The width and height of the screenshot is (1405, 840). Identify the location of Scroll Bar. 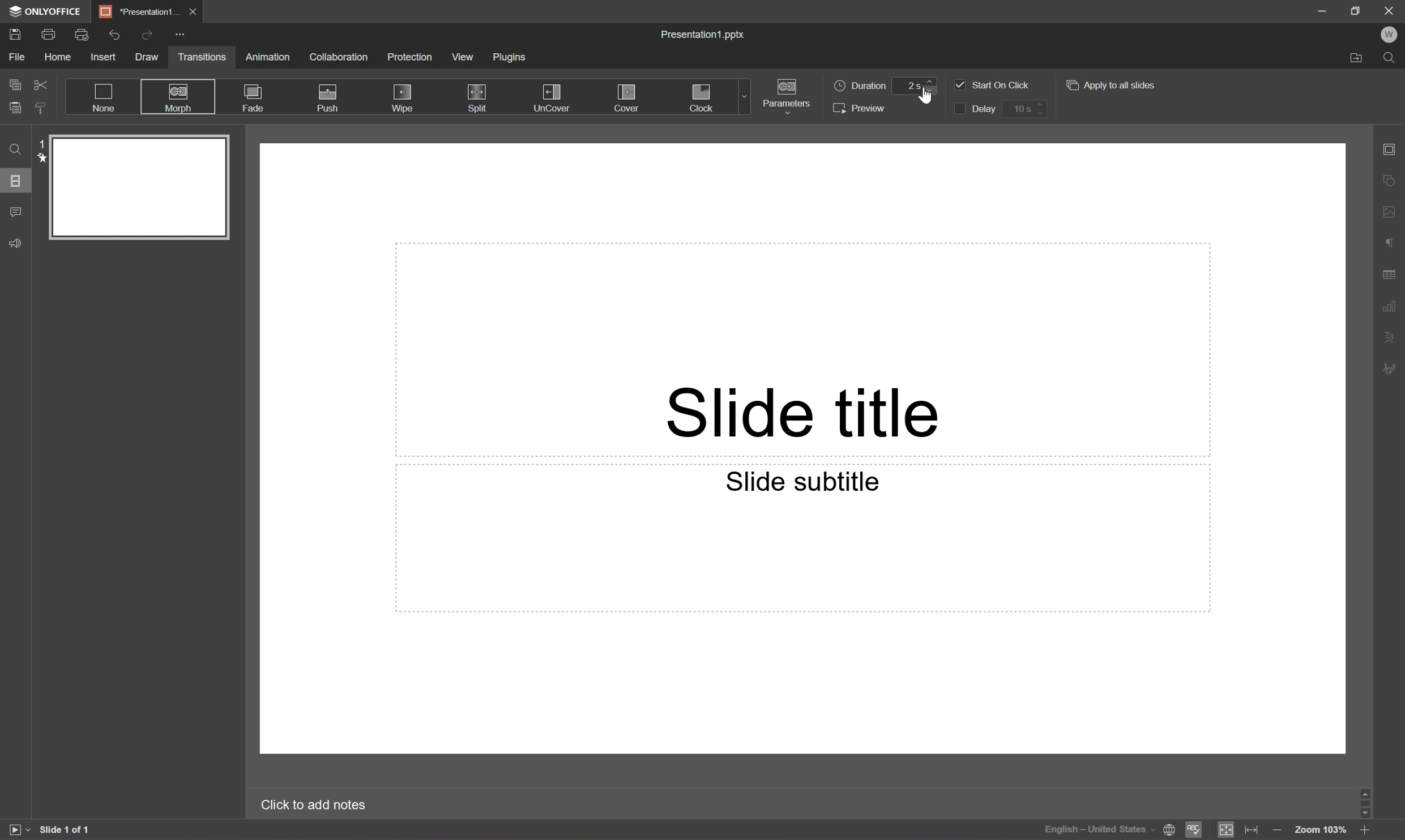
(1362, 802).